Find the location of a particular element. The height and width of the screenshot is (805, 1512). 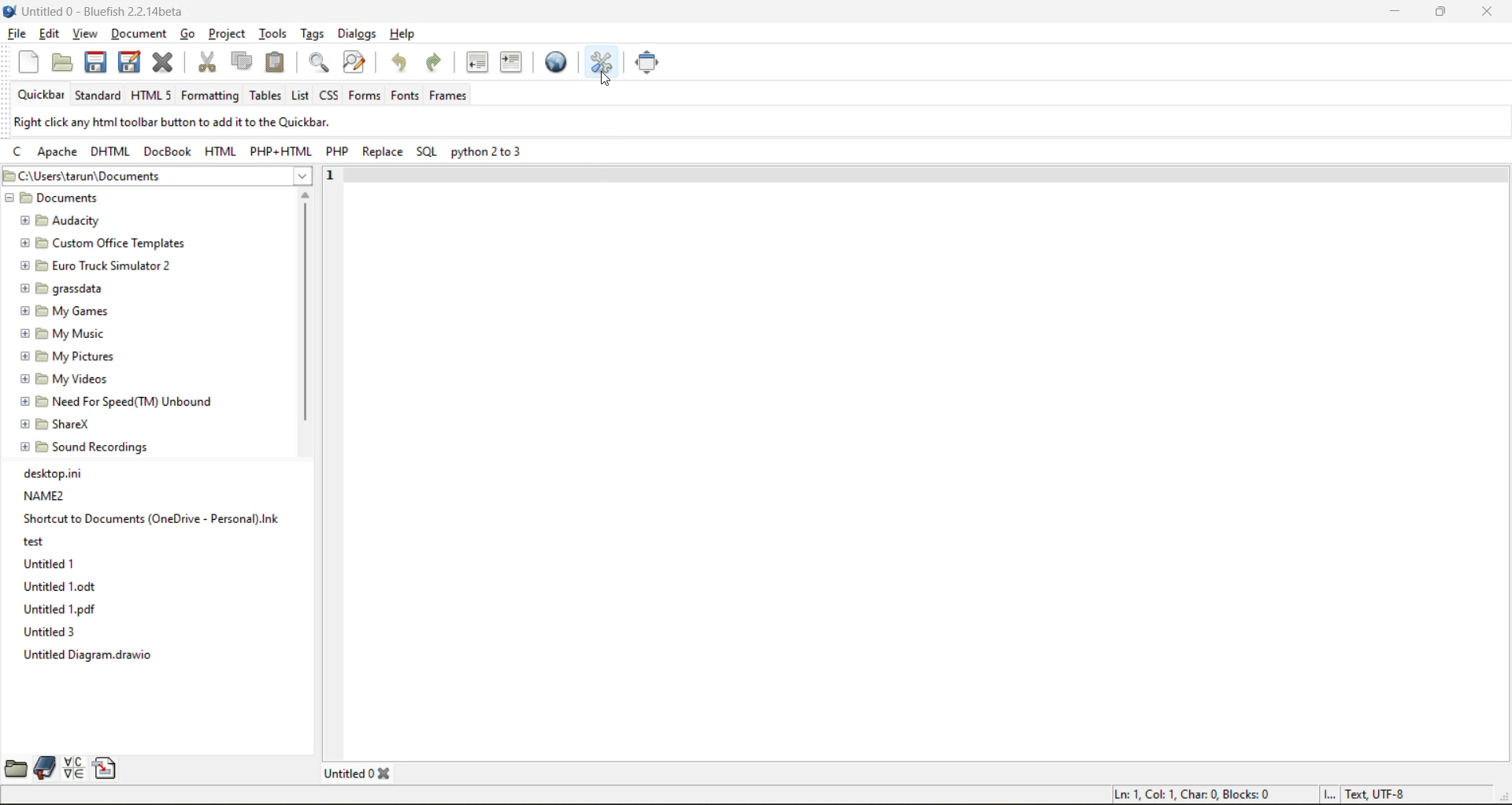

NAME2 is located at coordinates (45, 495).